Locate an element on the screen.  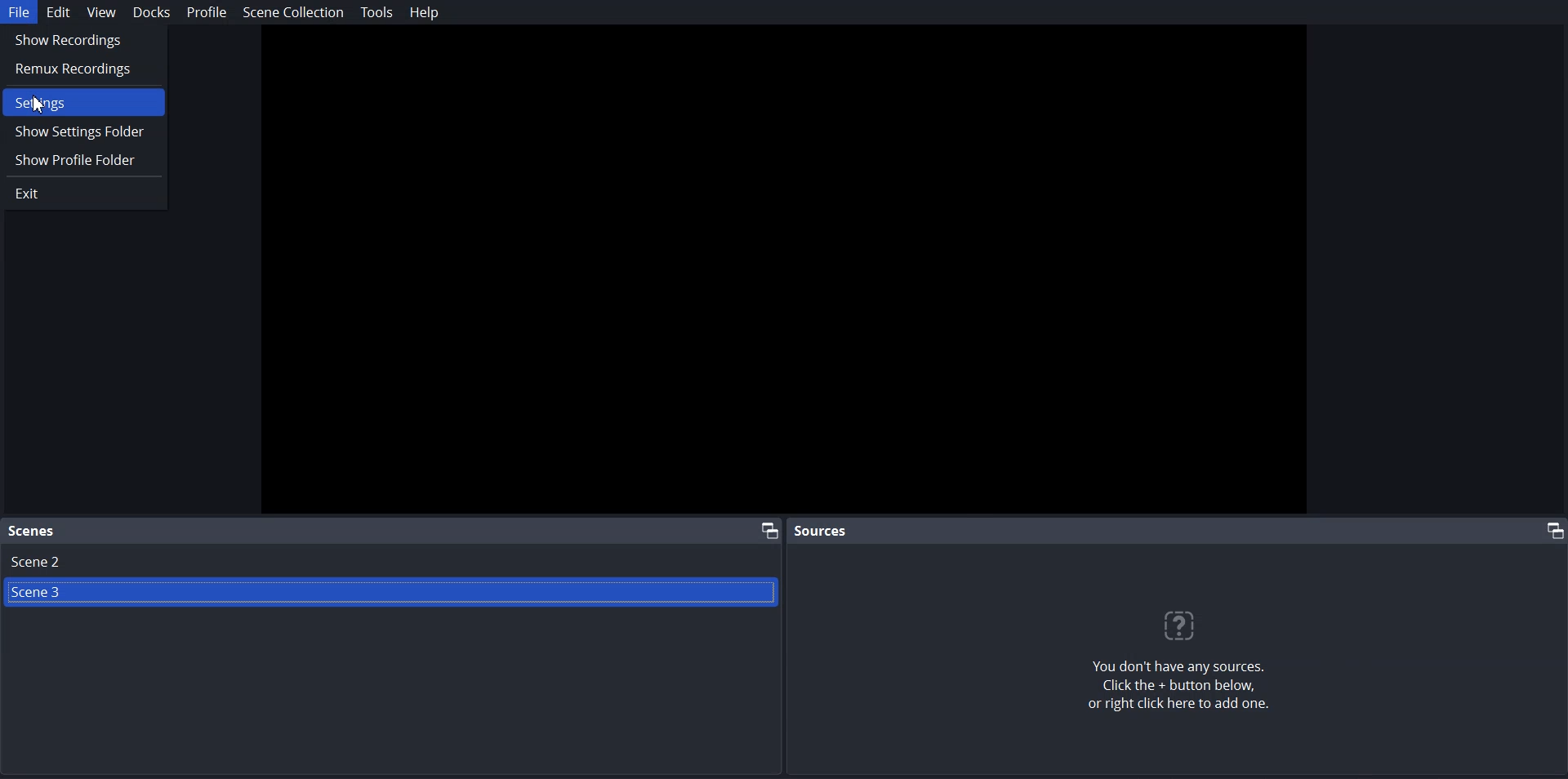
Sources is located at coordinates (823, 530).